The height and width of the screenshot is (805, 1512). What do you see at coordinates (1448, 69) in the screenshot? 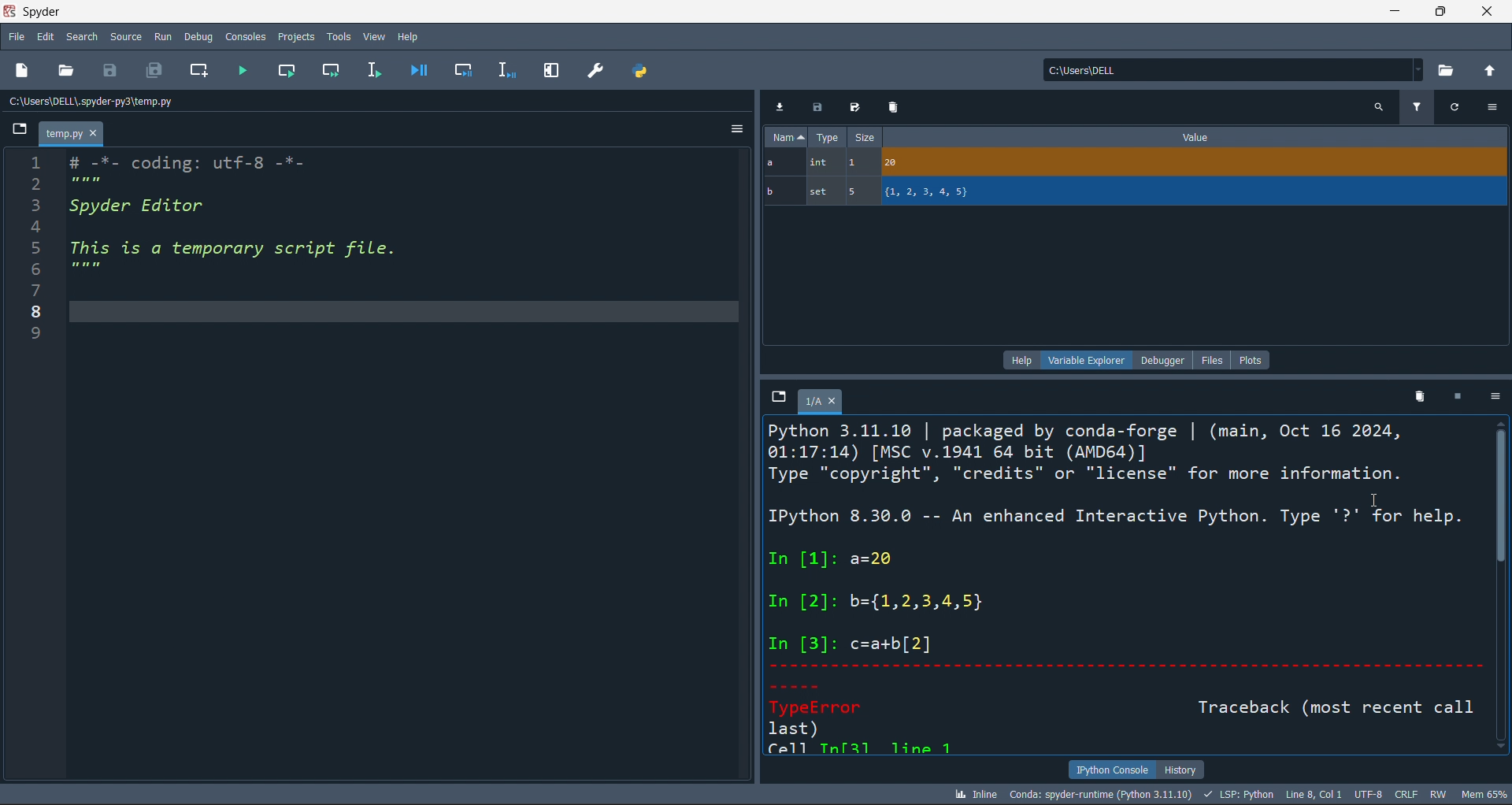
I see `open directory` at bounding box center [1448, 69].